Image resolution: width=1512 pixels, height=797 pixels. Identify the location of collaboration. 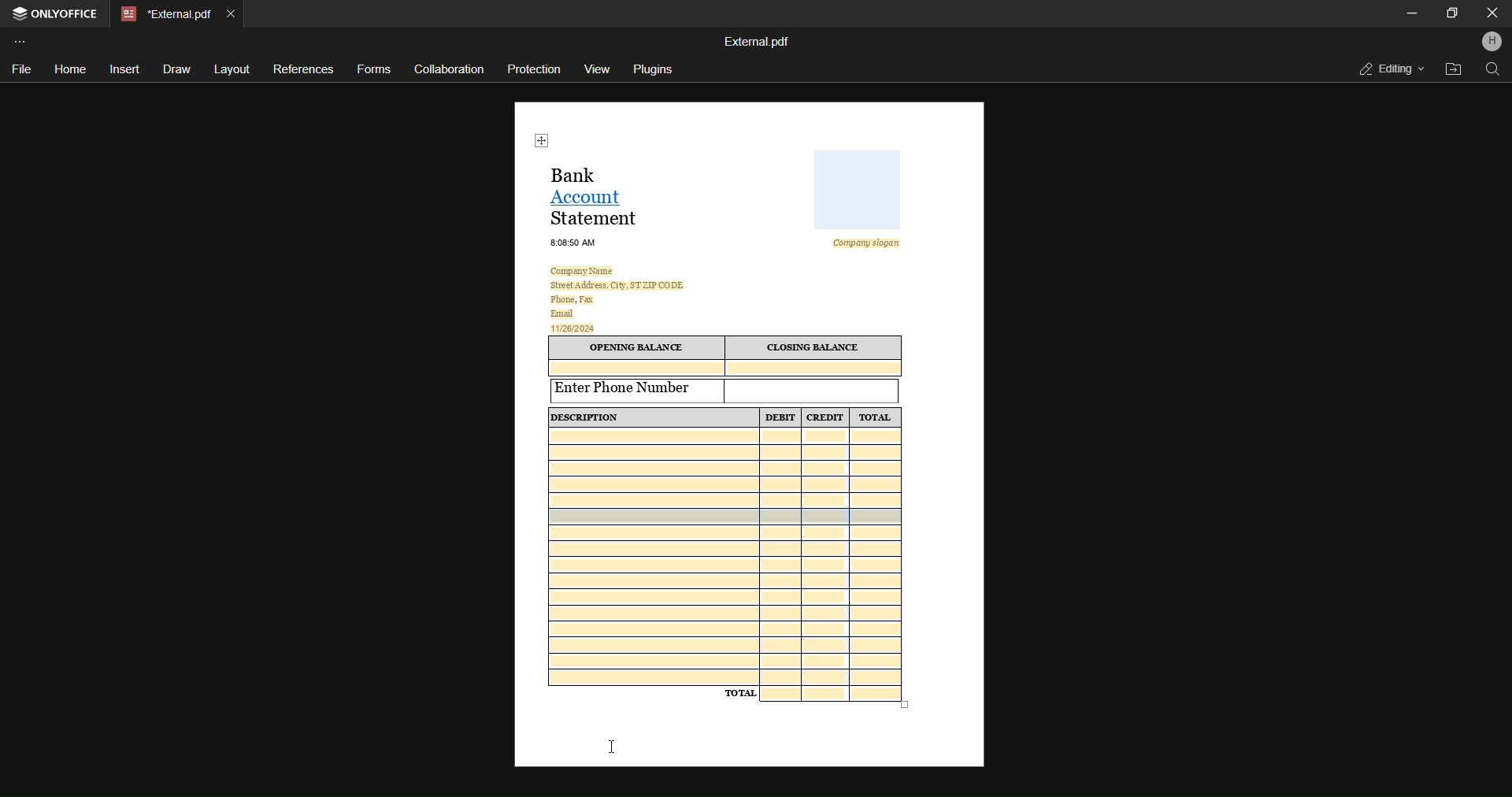
(448, 69).